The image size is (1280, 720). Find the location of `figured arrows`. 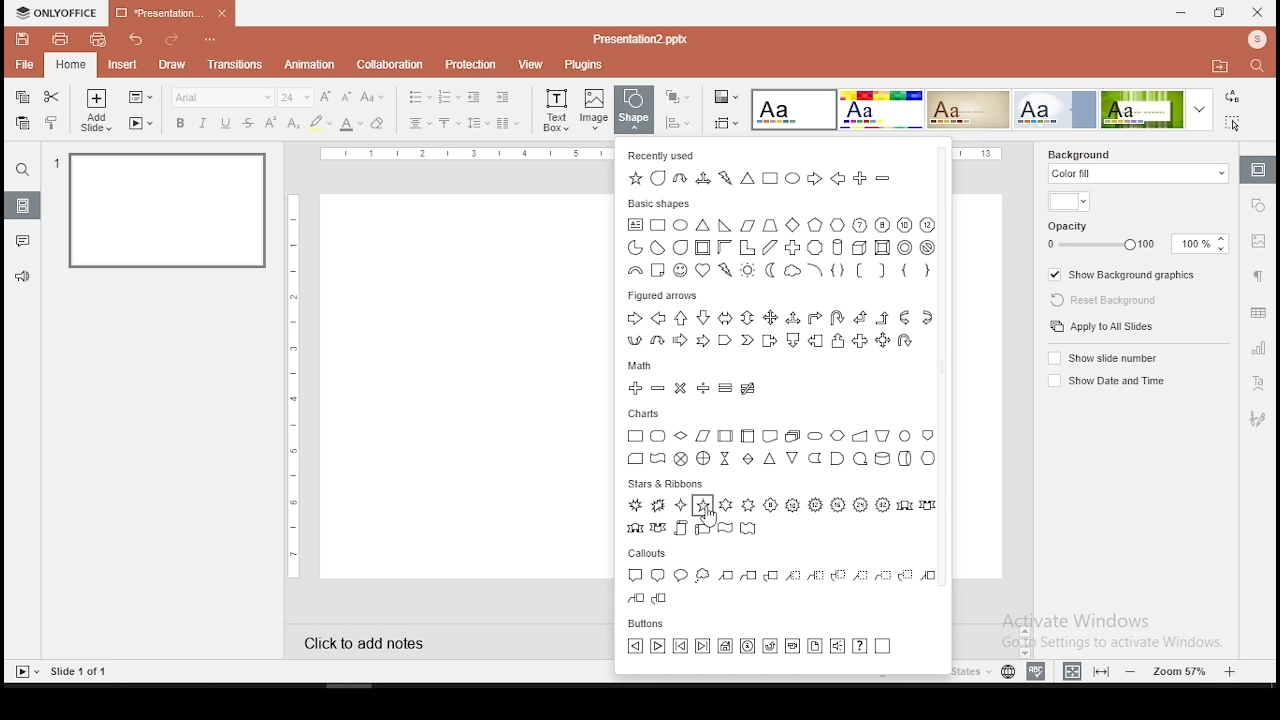

figured arrows is located at coordinates (782, 328).